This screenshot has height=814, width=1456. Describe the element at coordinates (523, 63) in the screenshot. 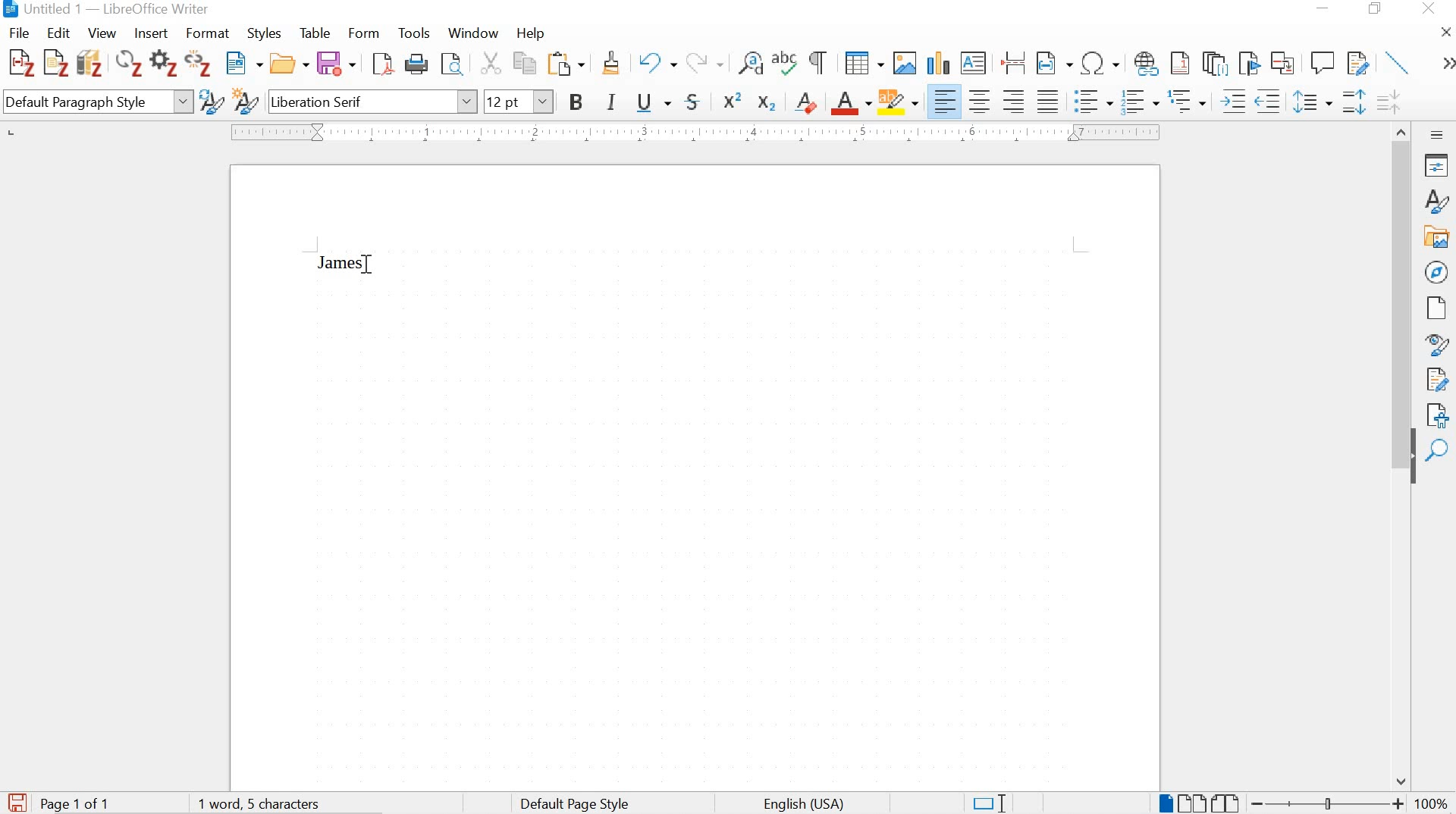

I see `copy` at that location.